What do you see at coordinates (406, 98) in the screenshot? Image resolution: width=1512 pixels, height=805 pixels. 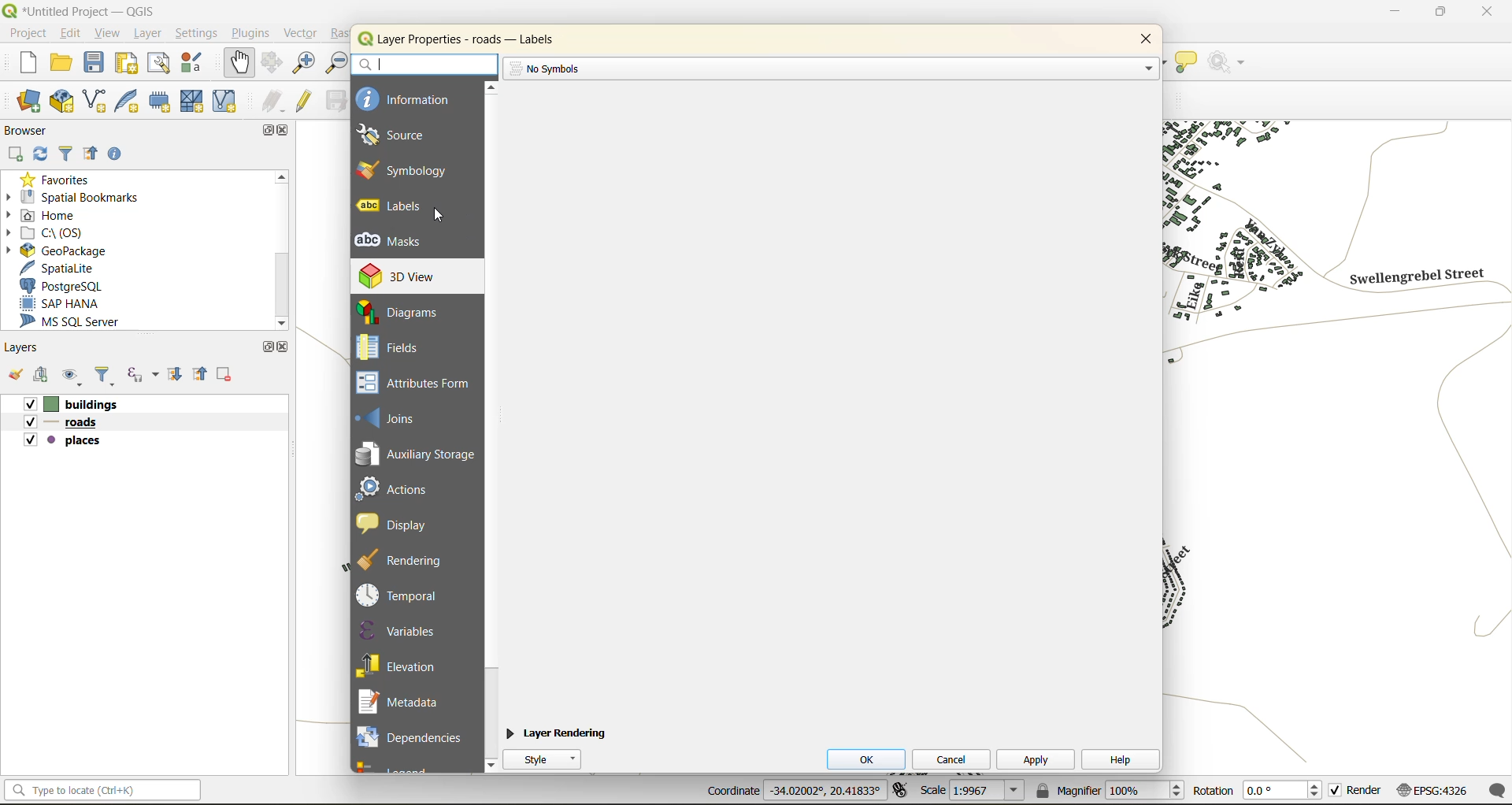 I see `information` at bounding box center [406, 98].